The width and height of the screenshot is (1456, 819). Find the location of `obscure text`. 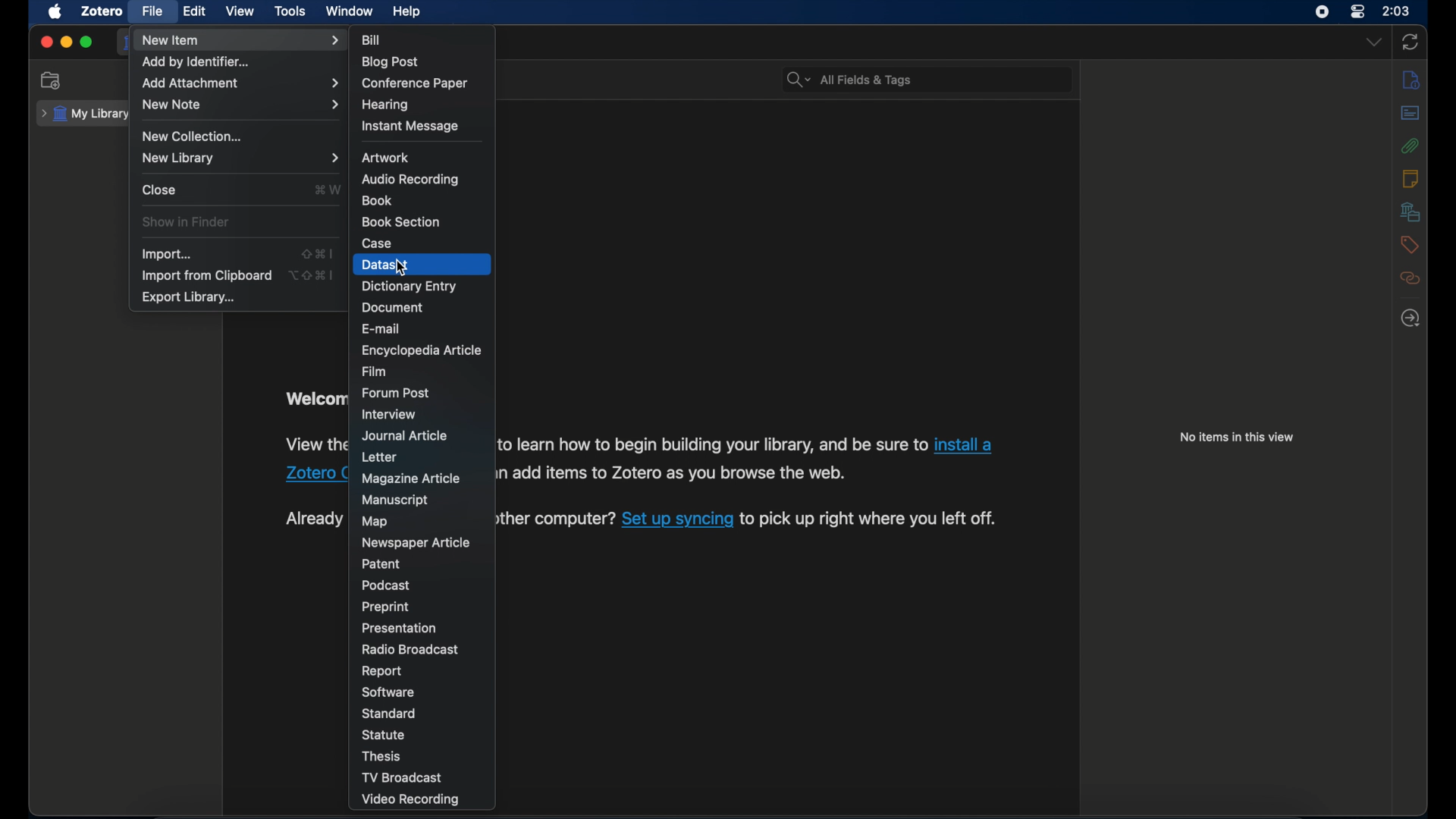

obscure text is located at coordinates (313, 460).